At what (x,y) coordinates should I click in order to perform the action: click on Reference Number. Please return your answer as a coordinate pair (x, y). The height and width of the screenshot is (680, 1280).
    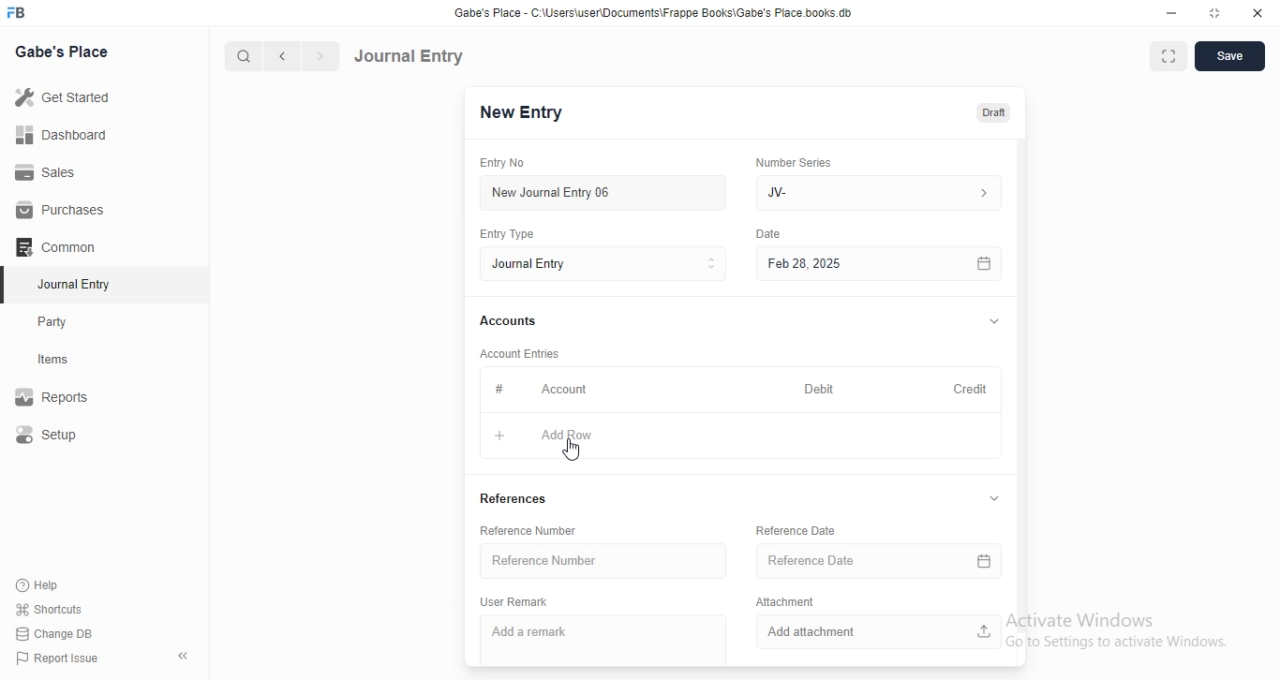
    Looking at the image, I should click on (543, 531).